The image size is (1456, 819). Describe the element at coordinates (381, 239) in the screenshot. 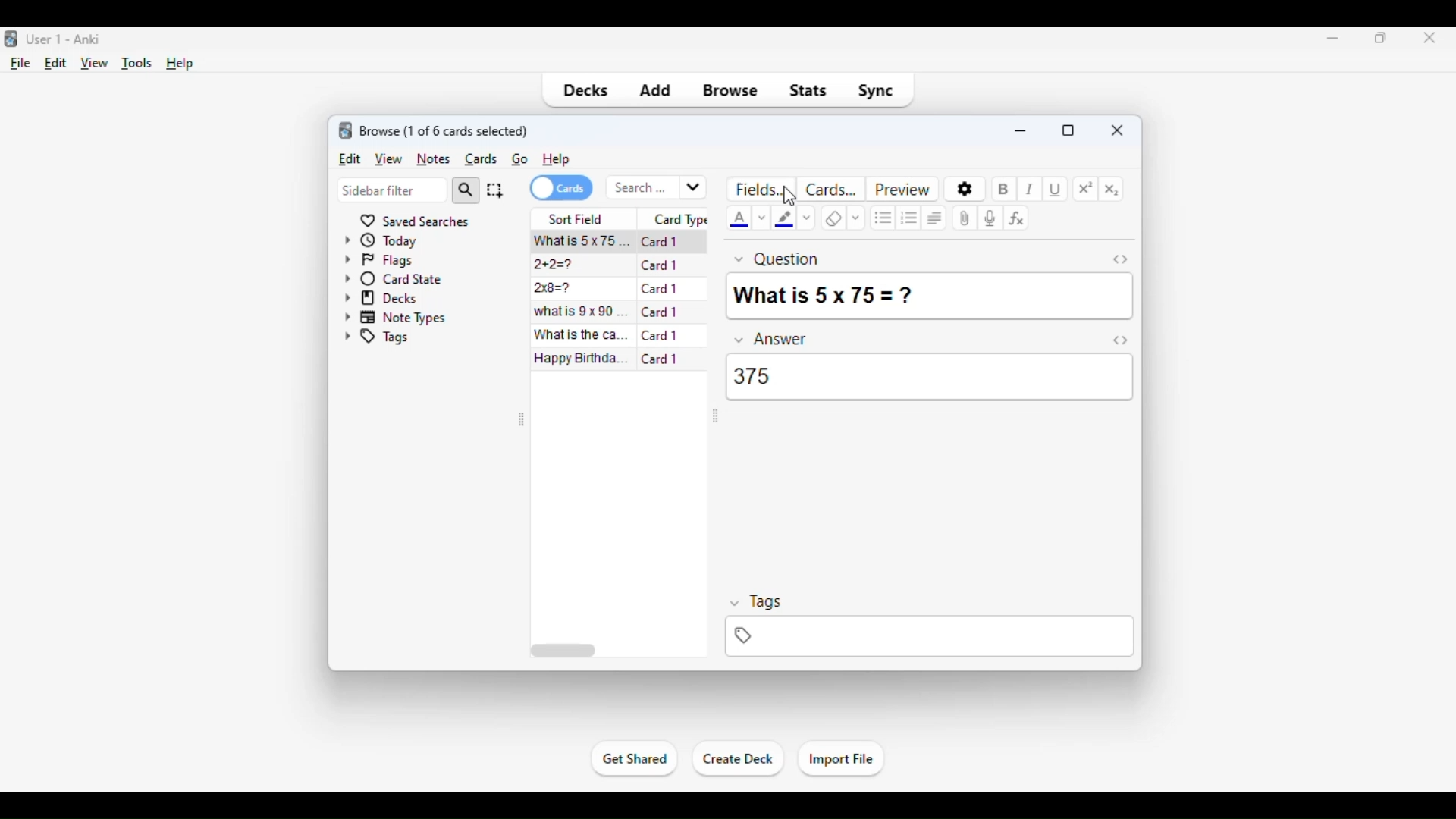

I see `today` at that location.